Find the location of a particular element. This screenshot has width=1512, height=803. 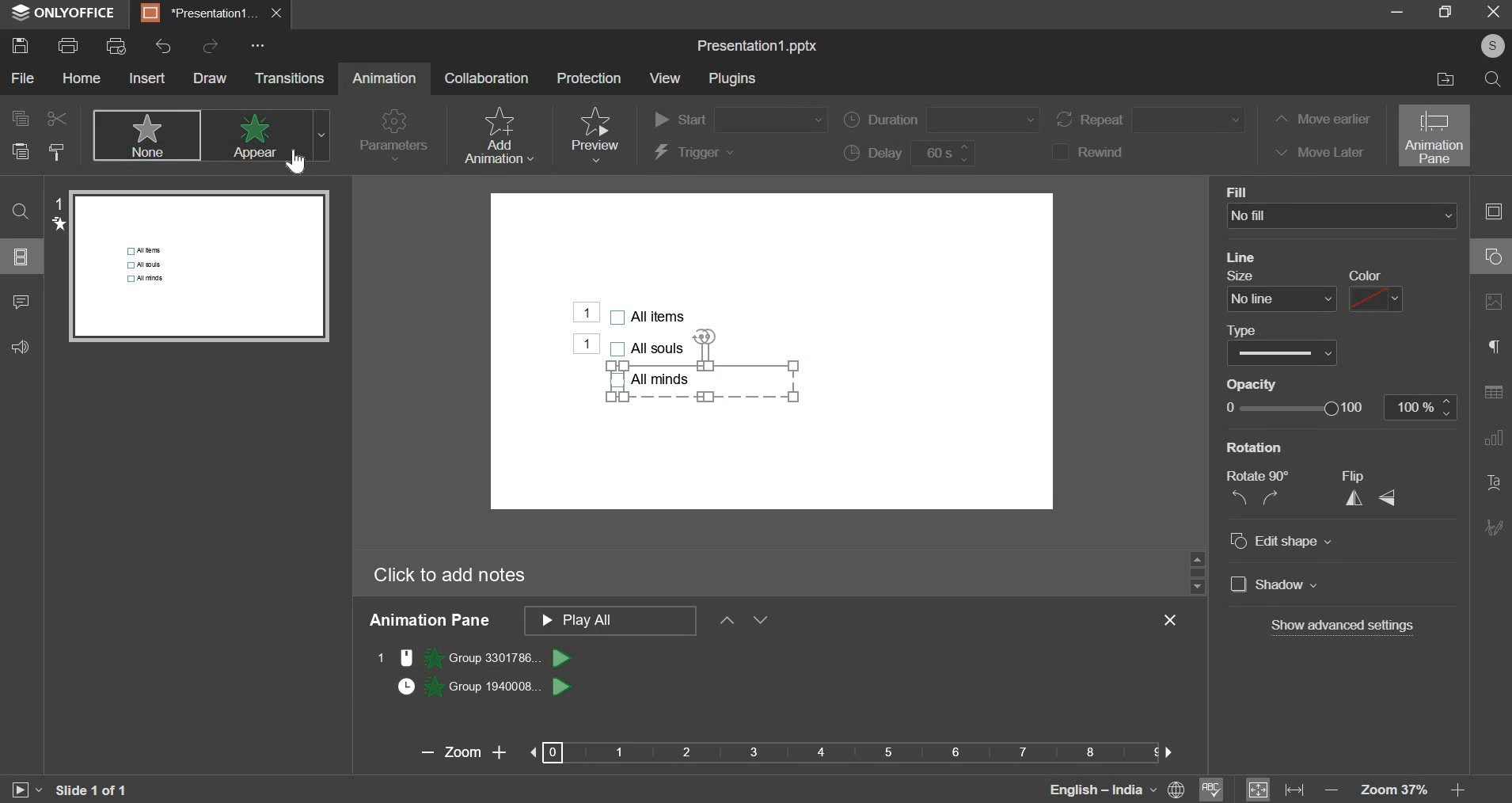

repeat is located at coordinates (1153, 120).